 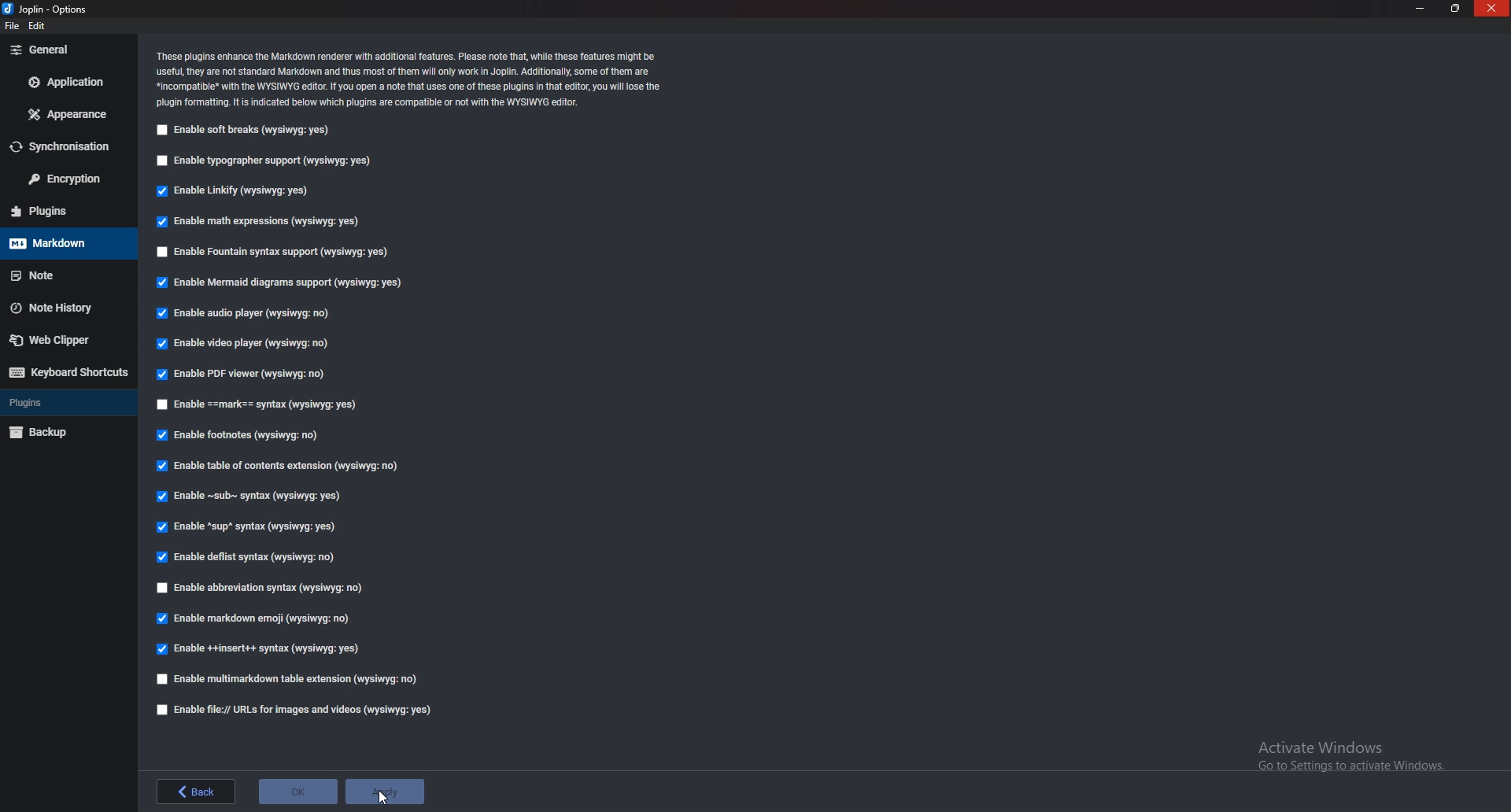 I want to click on enable insert syntax, so click(x=258, y=649).